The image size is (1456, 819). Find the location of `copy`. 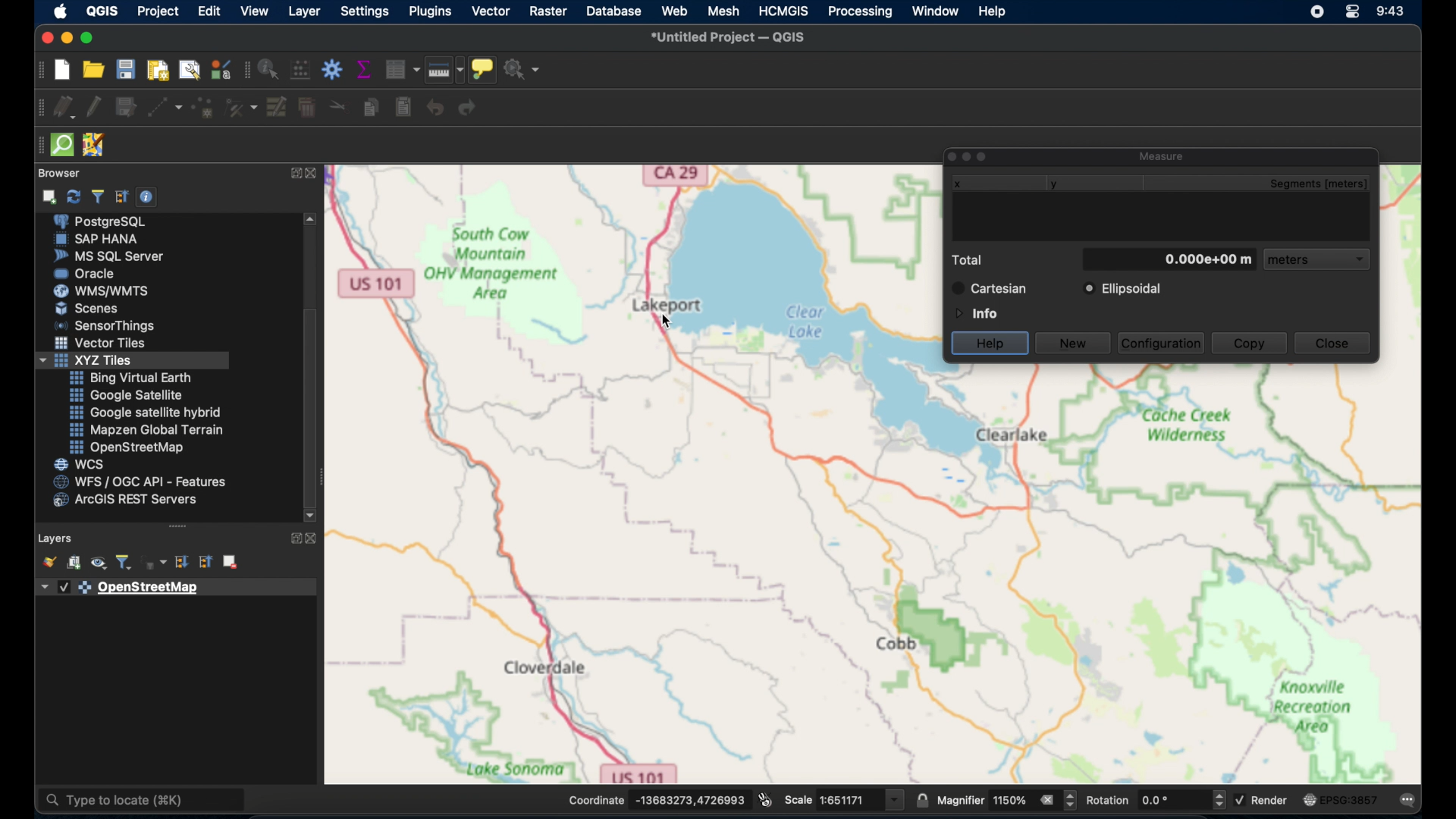

copy is located at coordinates (1250, 344).